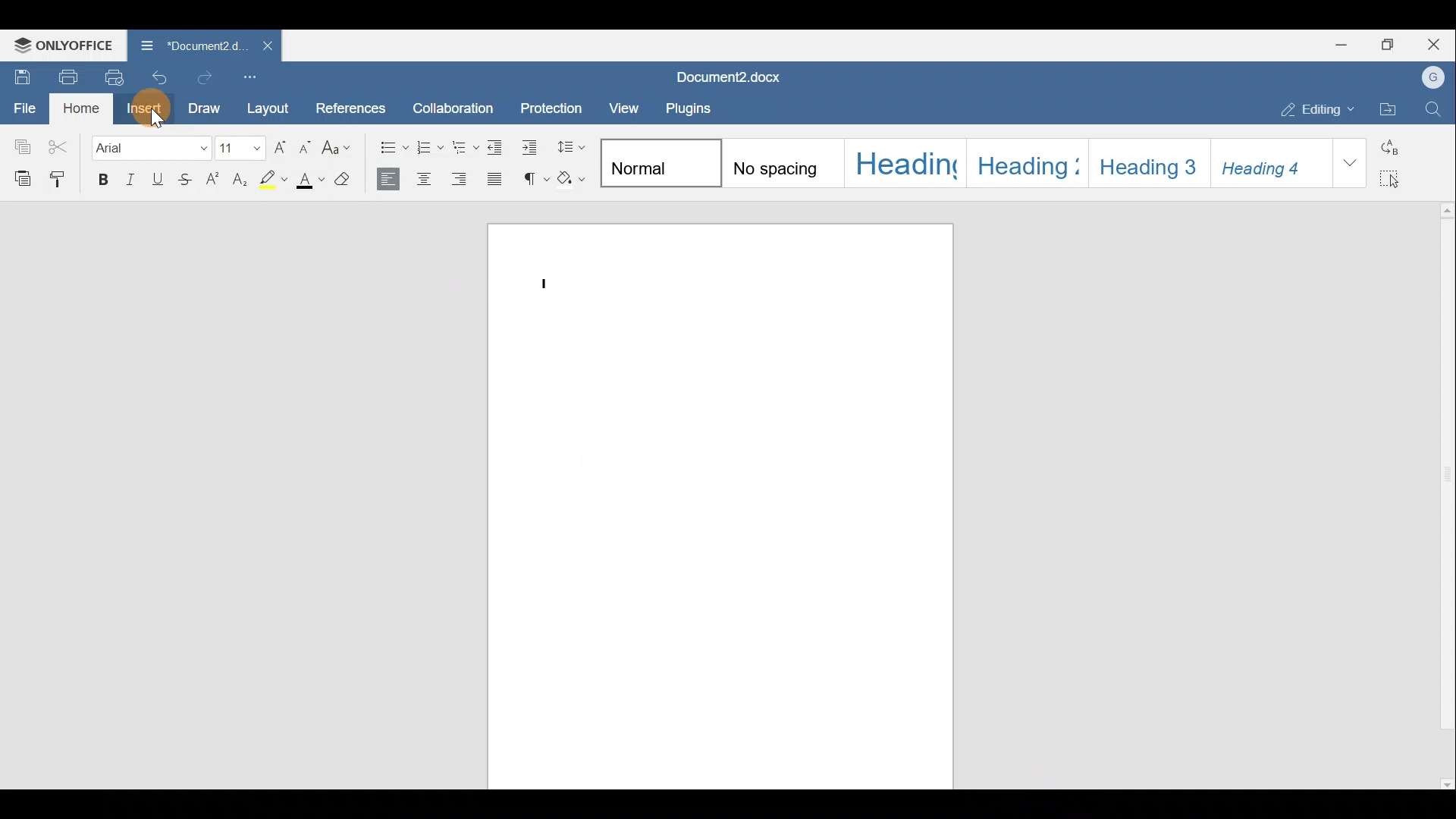 This screenshot has height=819, width=1456. Describe the element at coordinates (309, 182) in the screenshot. I see `Font color` at that location.